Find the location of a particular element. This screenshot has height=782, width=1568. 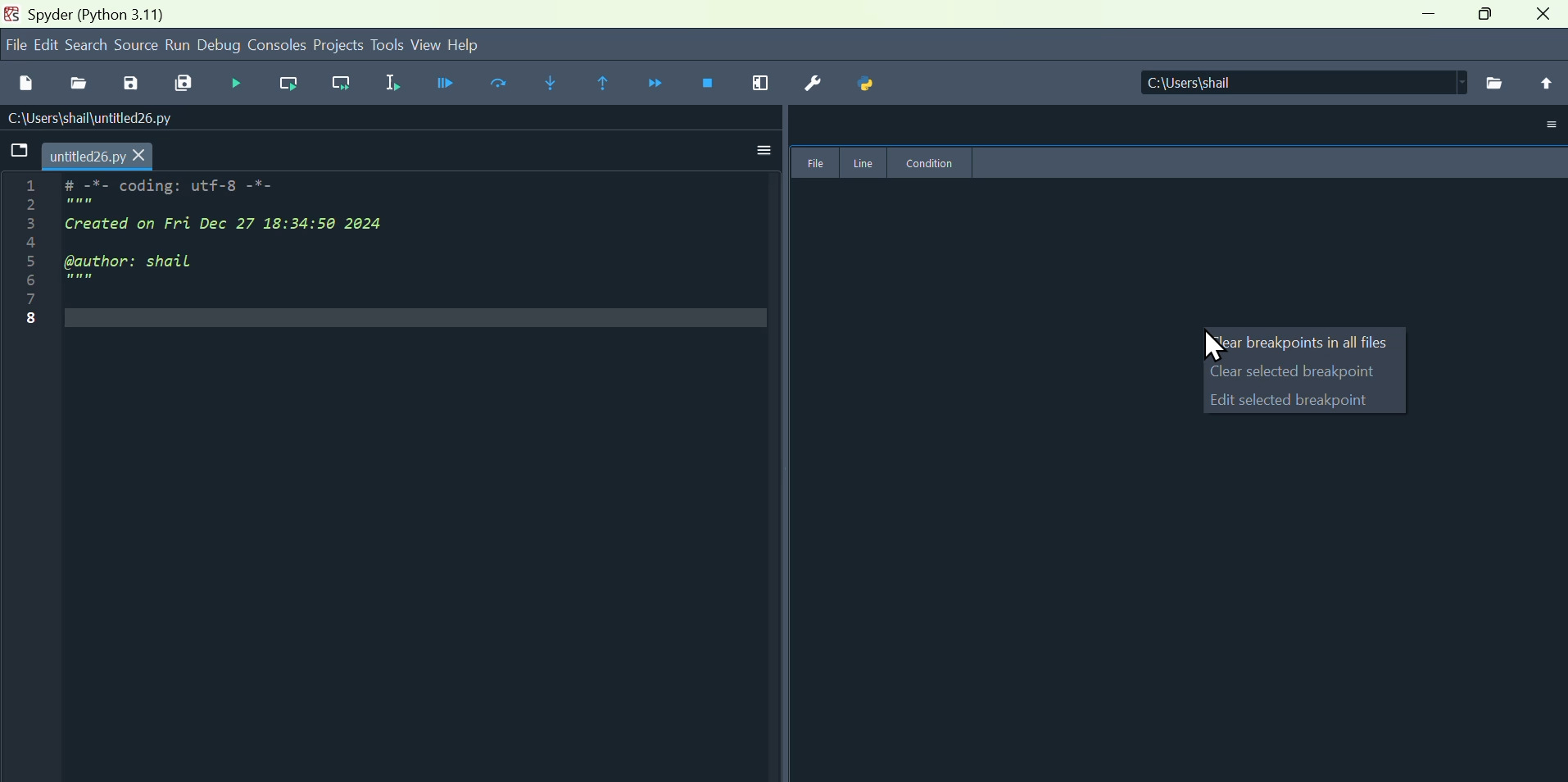

untitled26.py is located at coordinates (101, 153).